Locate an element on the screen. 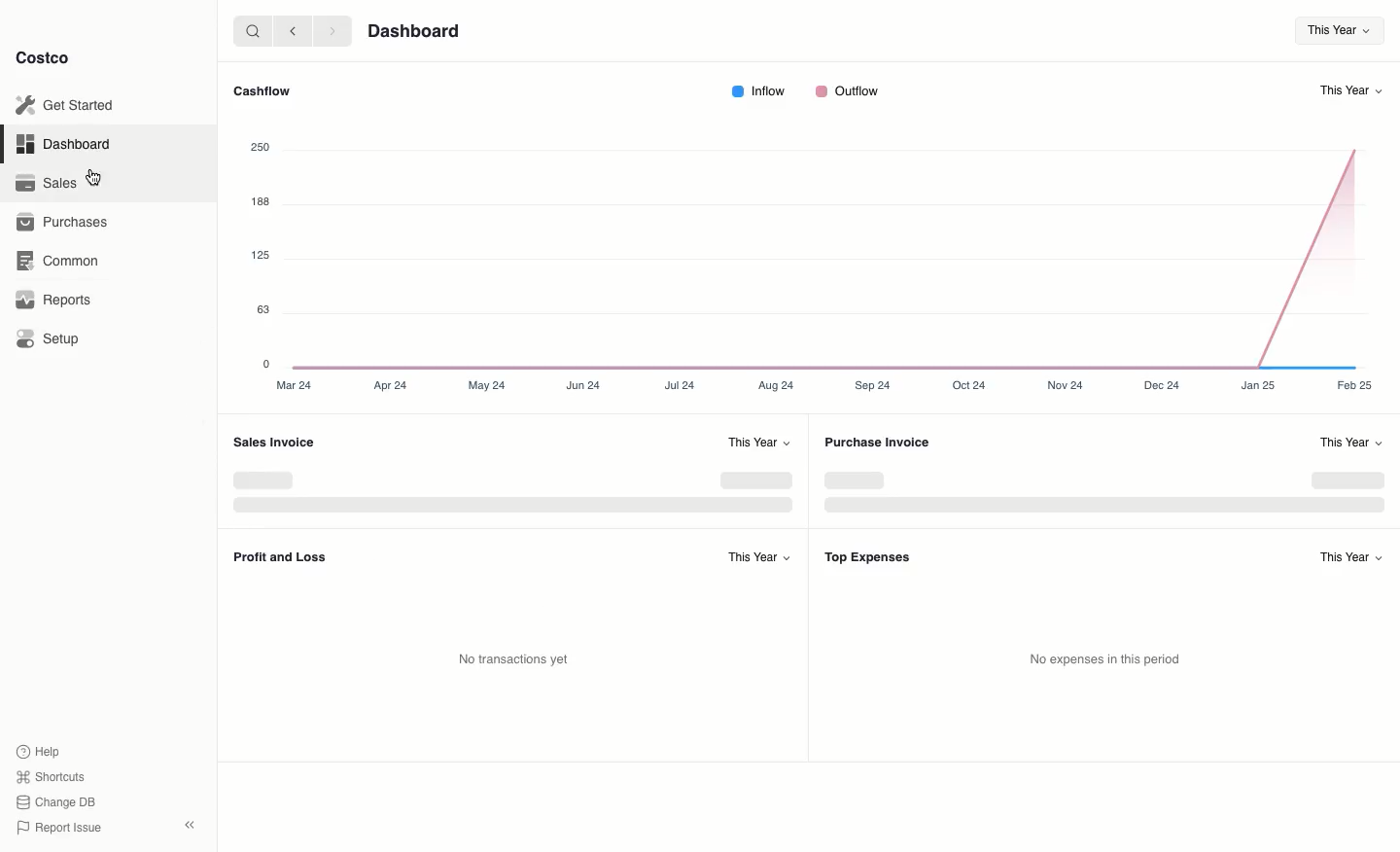 This screenshot has width=1400, height=852. forward is located at coordinates (330, 30).